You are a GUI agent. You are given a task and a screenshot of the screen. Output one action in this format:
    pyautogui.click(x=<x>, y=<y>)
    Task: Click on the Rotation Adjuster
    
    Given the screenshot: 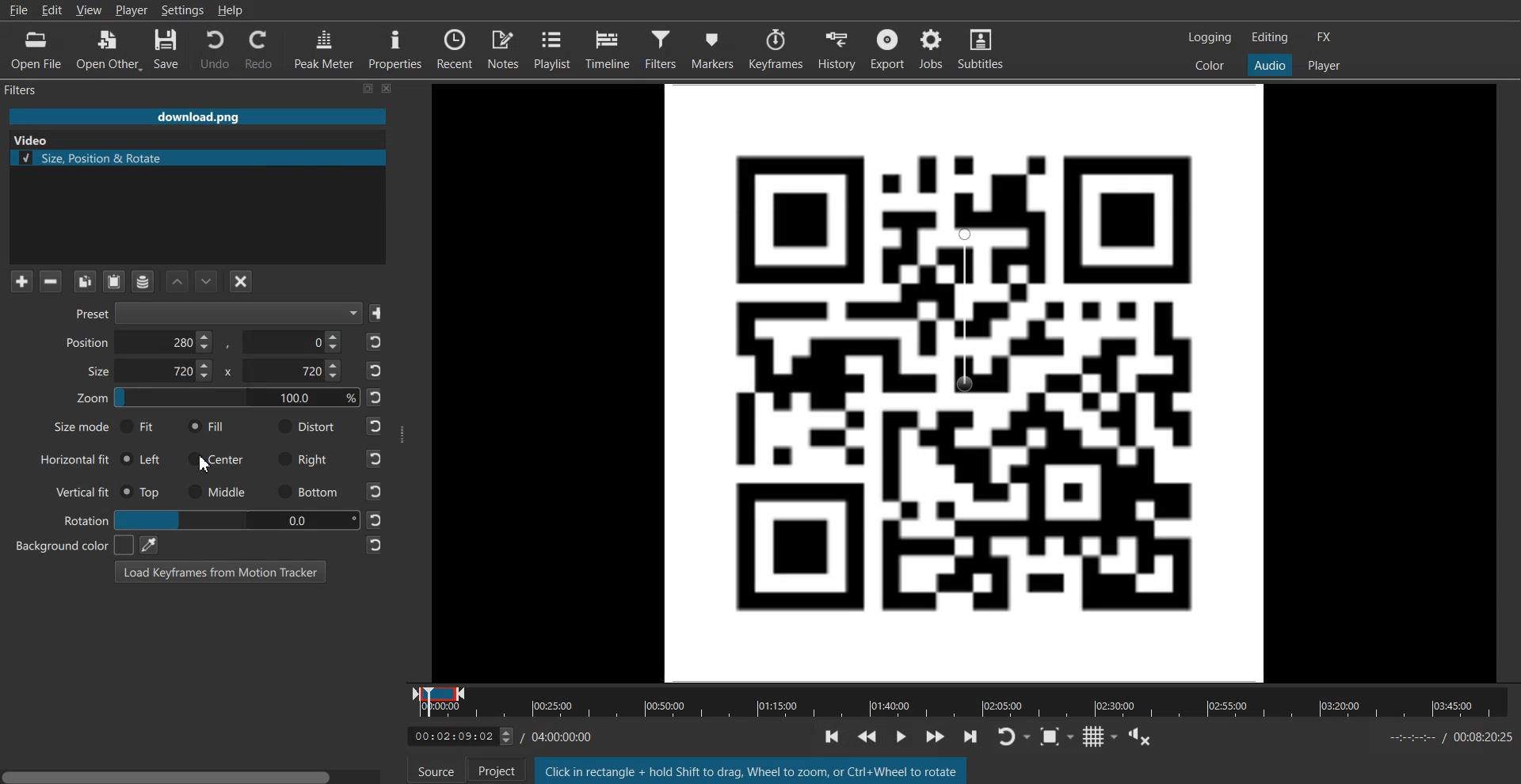 What is the action you would take?
    pyautogui.click(x=84, y=519)
    